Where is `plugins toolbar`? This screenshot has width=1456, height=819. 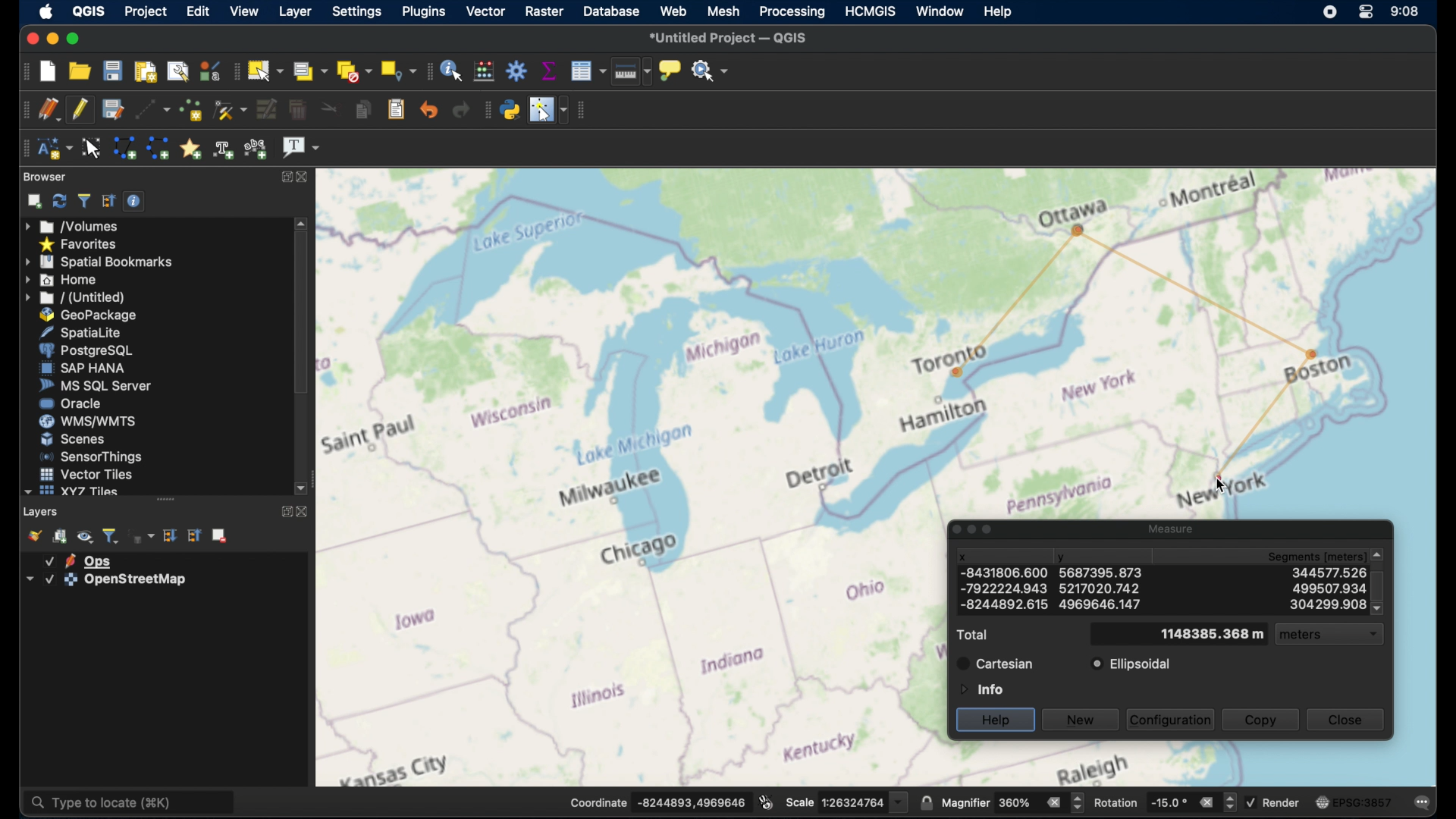
plugins toolbar is located at coordinates (485, 109).